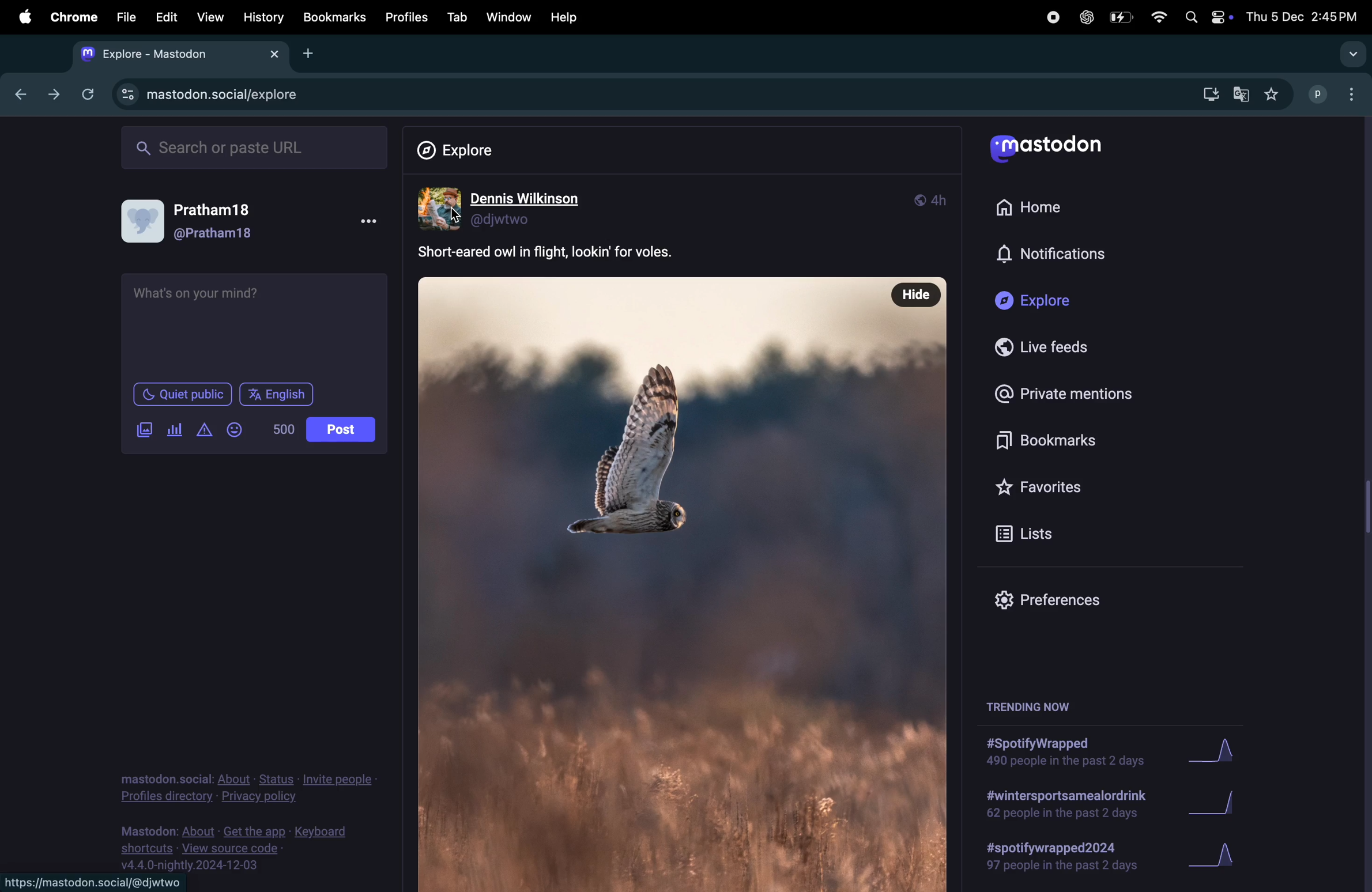  I want to click on options, so click(368, 220).